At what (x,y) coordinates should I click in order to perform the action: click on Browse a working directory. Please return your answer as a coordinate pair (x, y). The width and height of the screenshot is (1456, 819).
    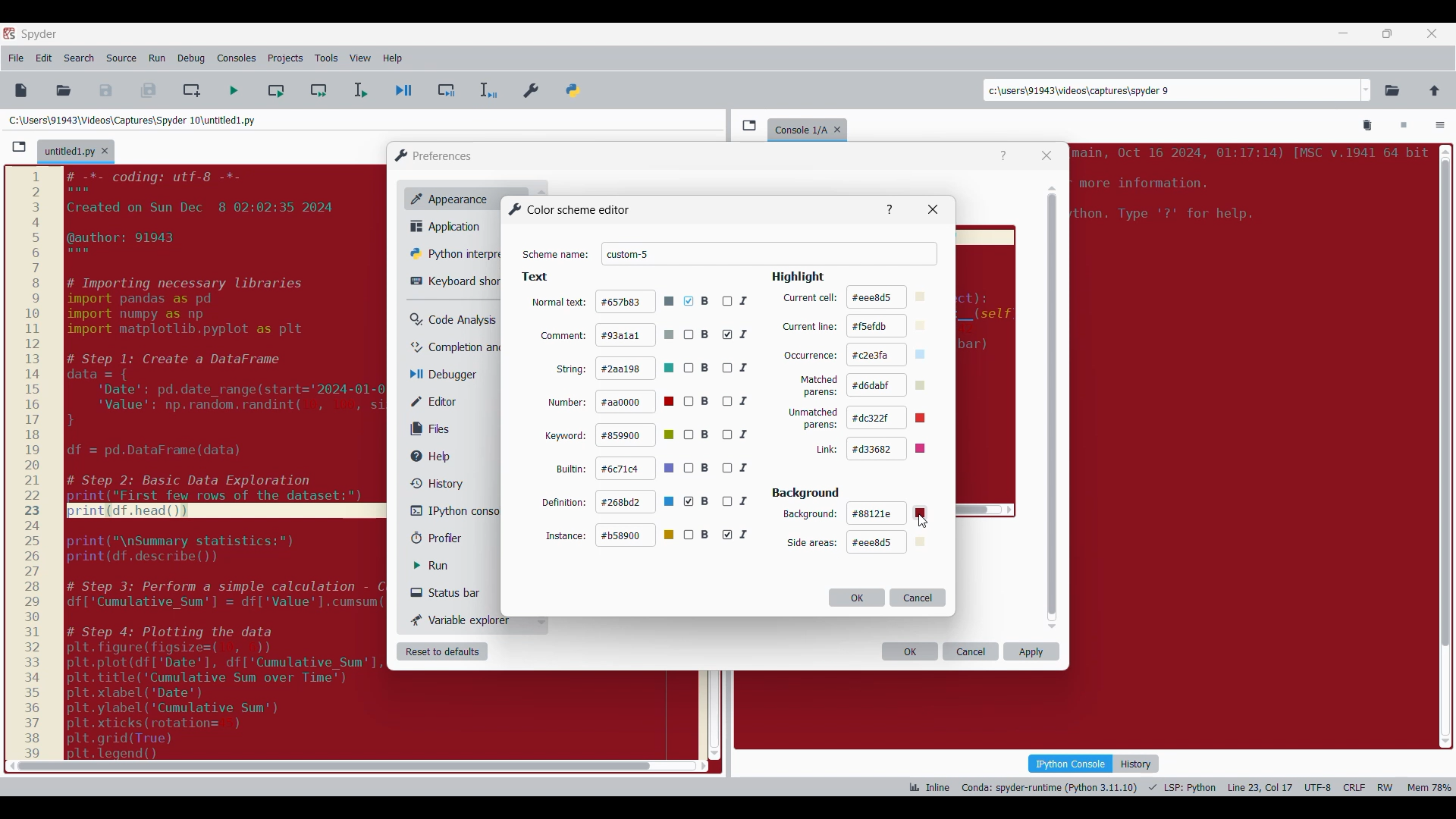
    Looking at the image, I should click on (1392, 90).